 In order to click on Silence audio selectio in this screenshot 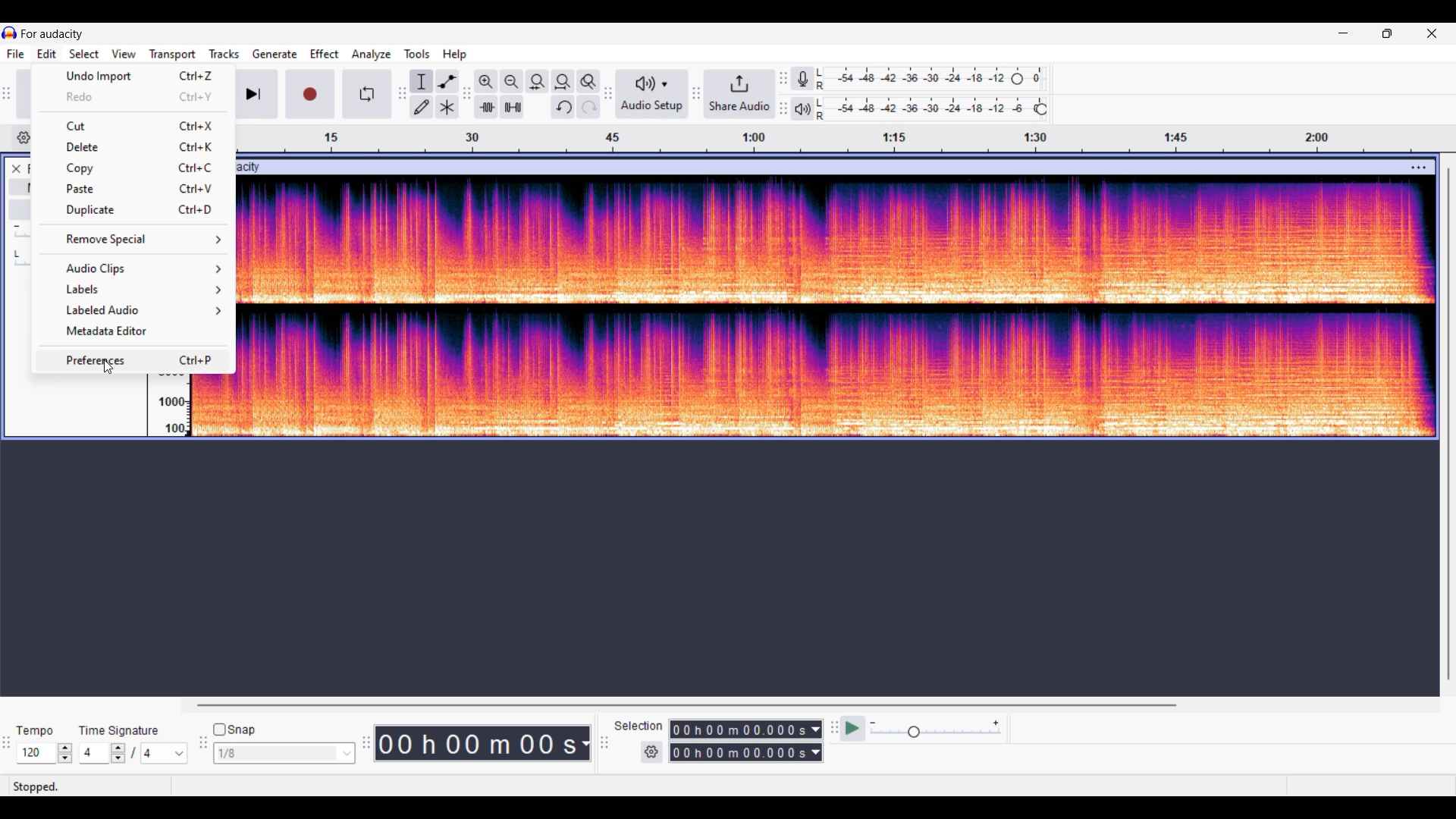, I will do `click(513, 106)`.